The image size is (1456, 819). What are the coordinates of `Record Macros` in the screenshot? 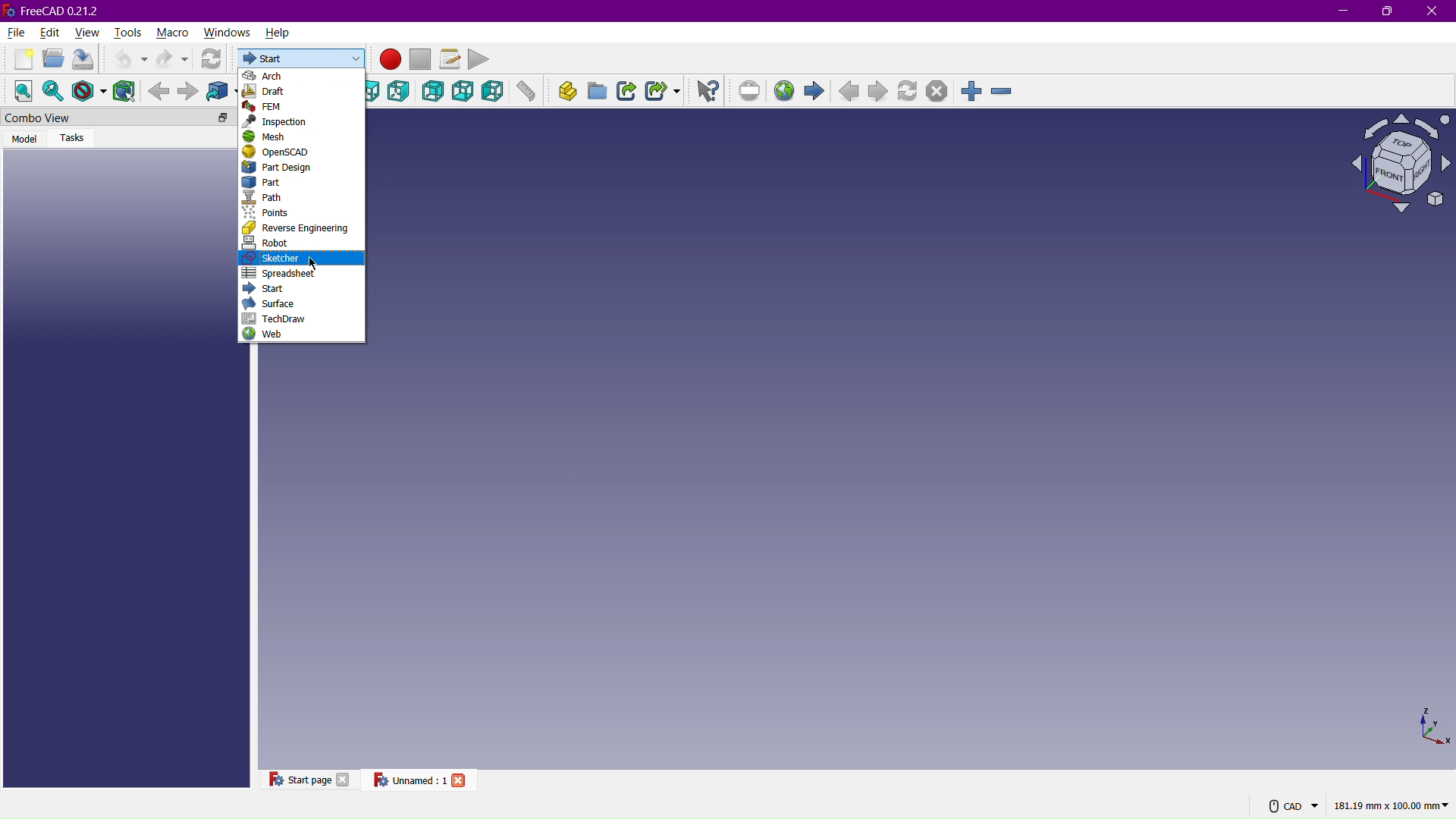 It's located at (390, 61).